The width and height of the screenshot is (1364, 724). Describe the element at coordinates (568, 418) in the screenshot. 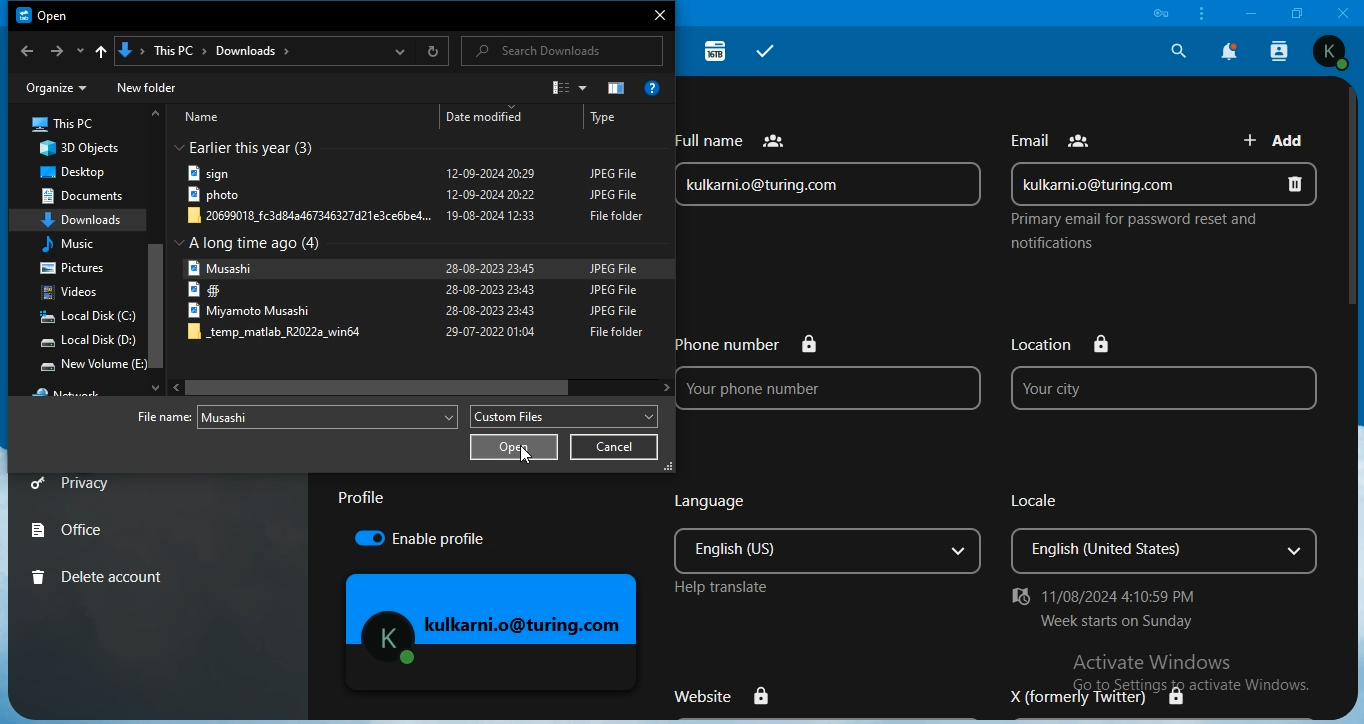

I see `custom files` at that location.